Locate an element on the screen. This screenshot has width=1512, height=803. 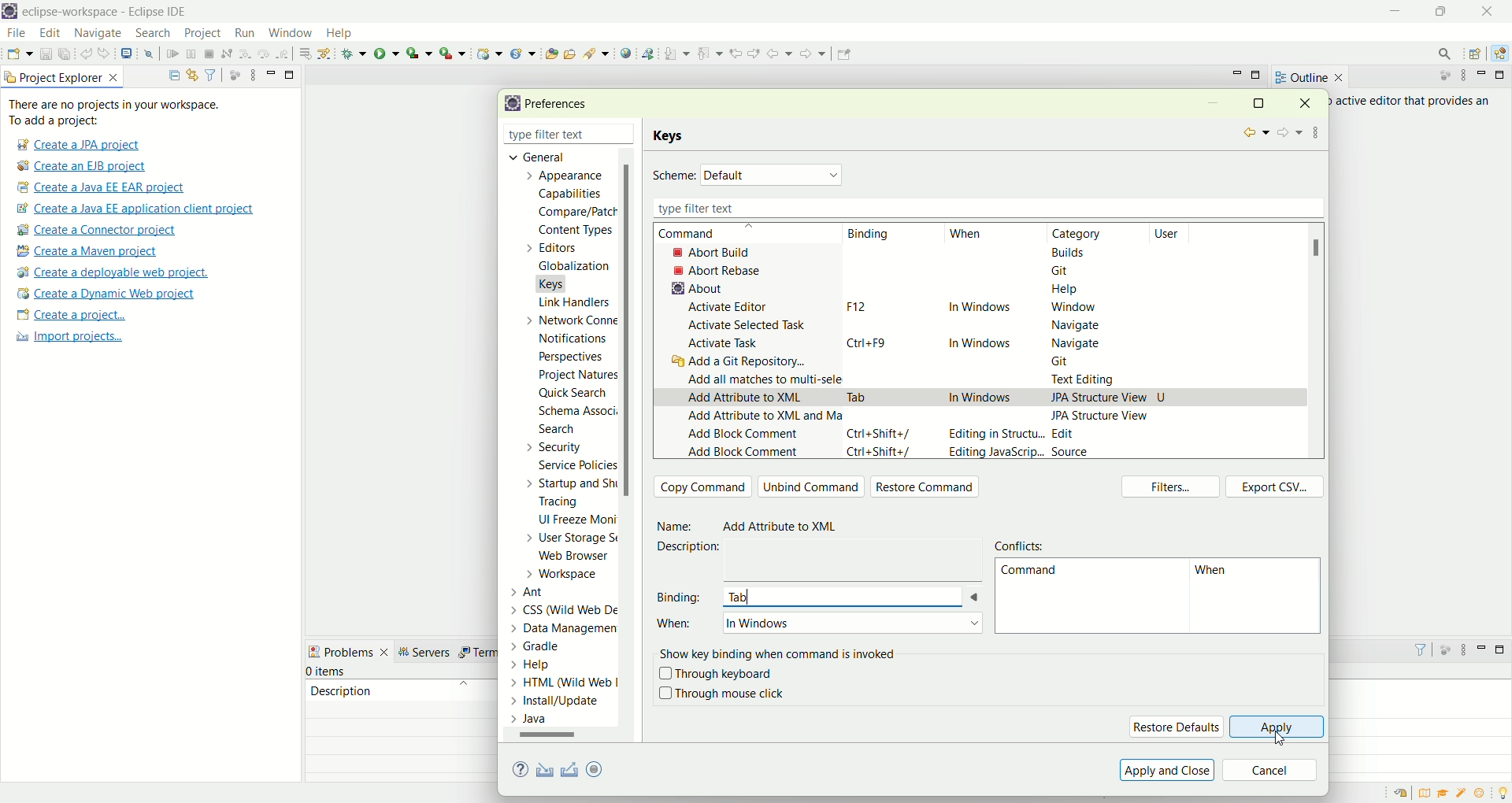
export is located at coordinates (606, 768).